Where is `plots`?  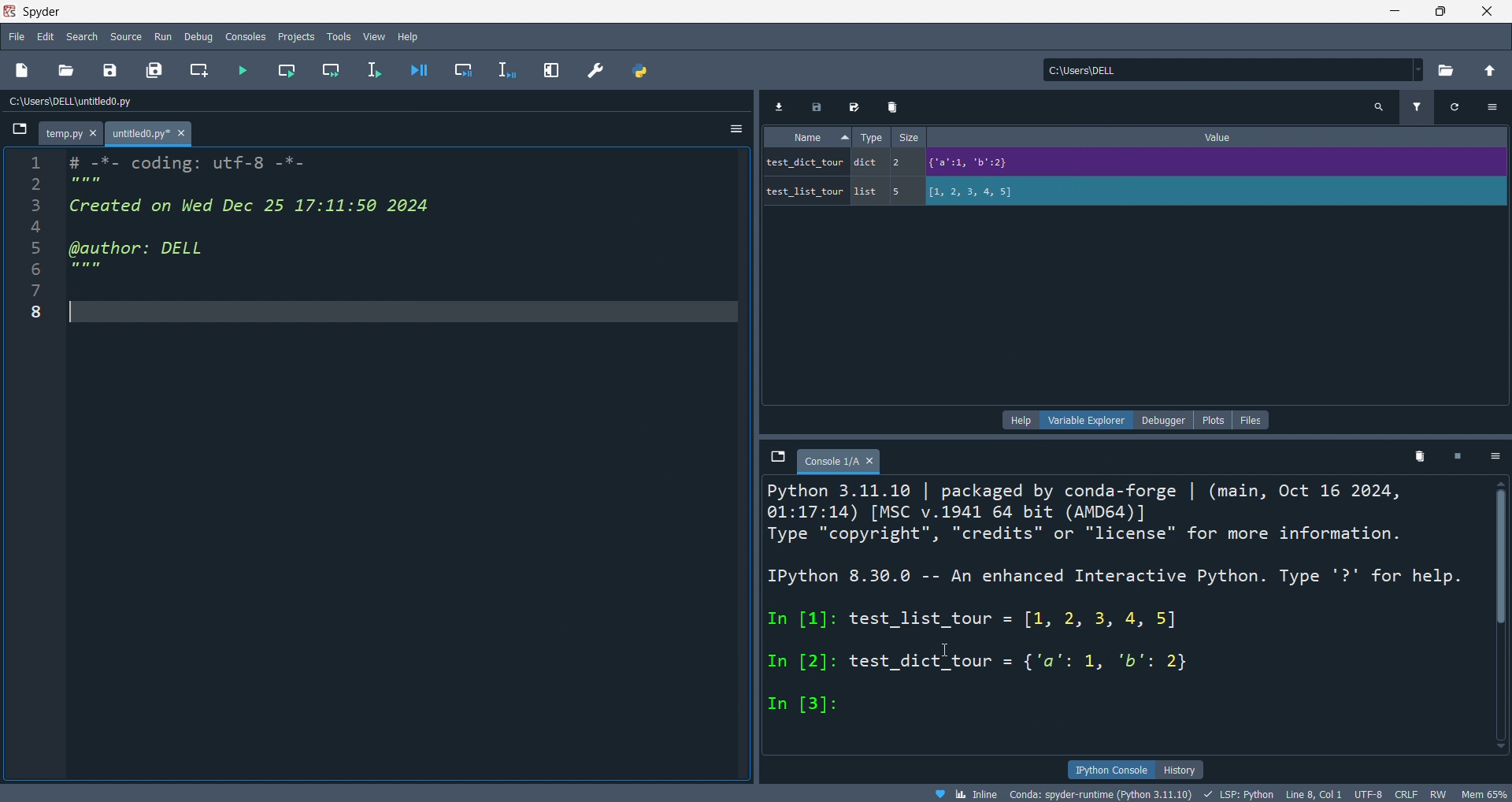 plots is located at coordinates (1216, 418).